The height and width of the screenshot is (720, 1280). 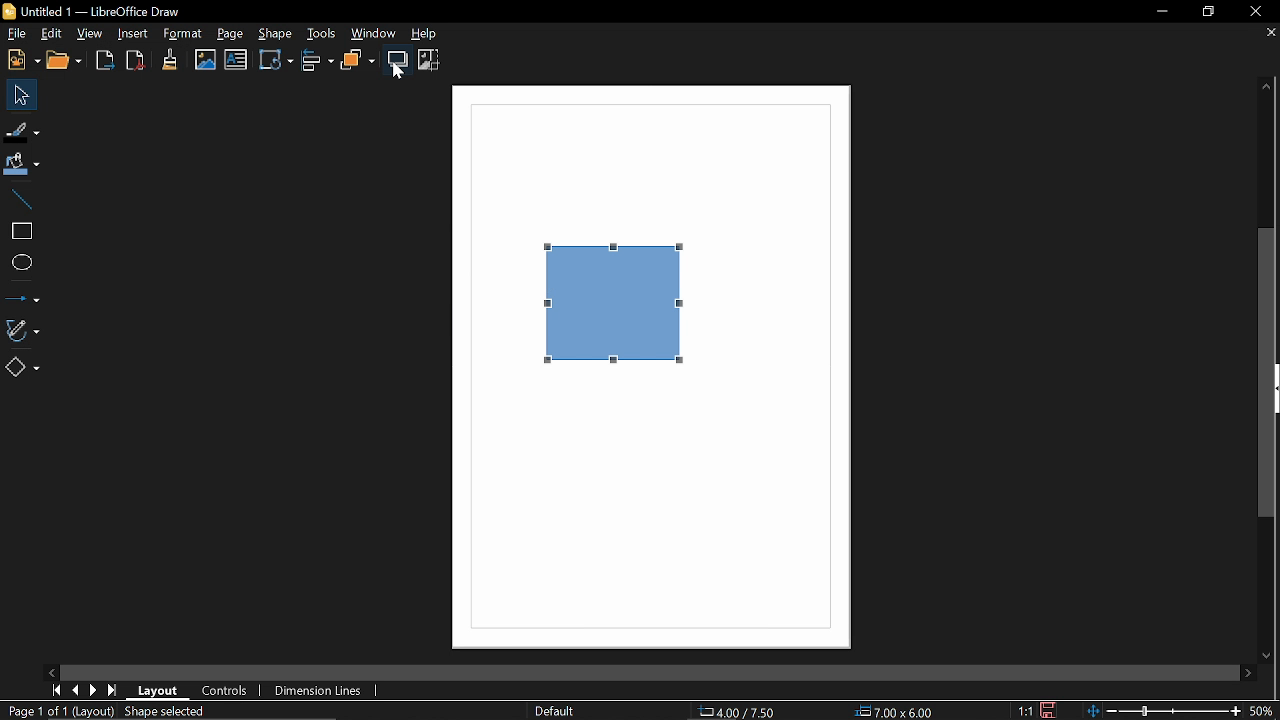 What do you see at coordinates (203, 60) in the screenshot?
I see `Insert image` at bounding box center [203, 60].